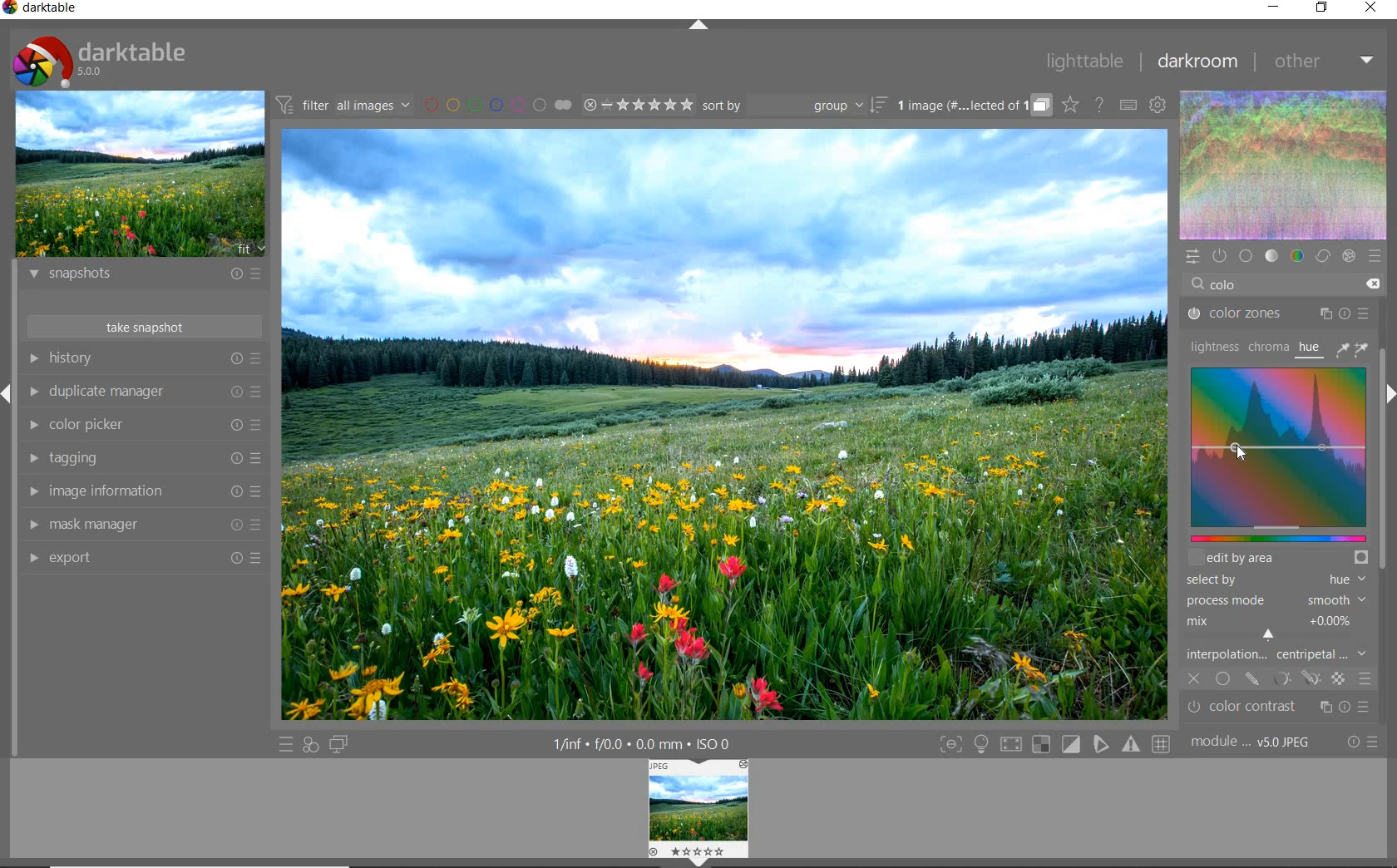 The image size is (1397, 868). I want to click on waveform, so click(1285, 165).